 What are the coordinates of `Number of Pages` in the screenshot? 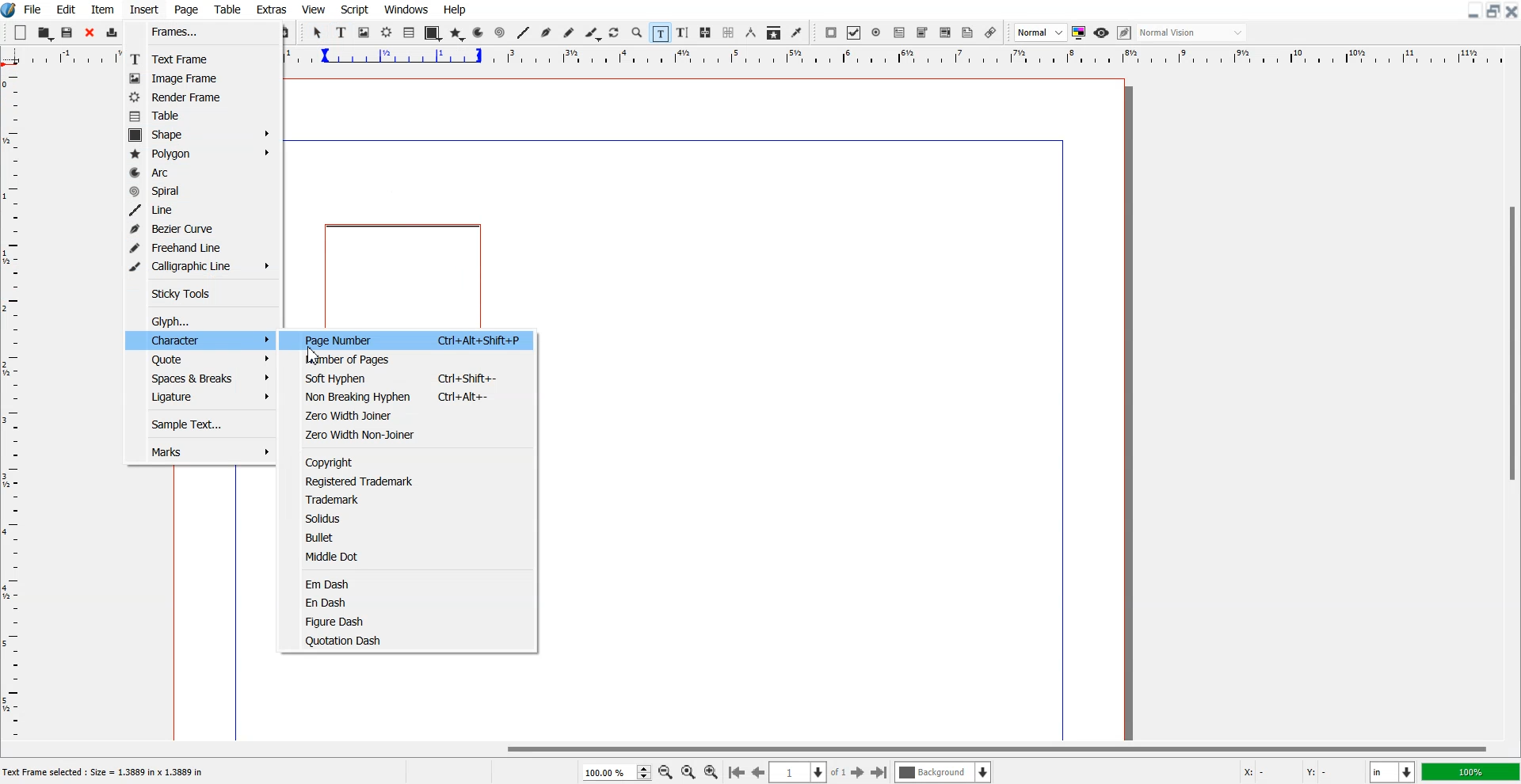 It's located at (413, 359).